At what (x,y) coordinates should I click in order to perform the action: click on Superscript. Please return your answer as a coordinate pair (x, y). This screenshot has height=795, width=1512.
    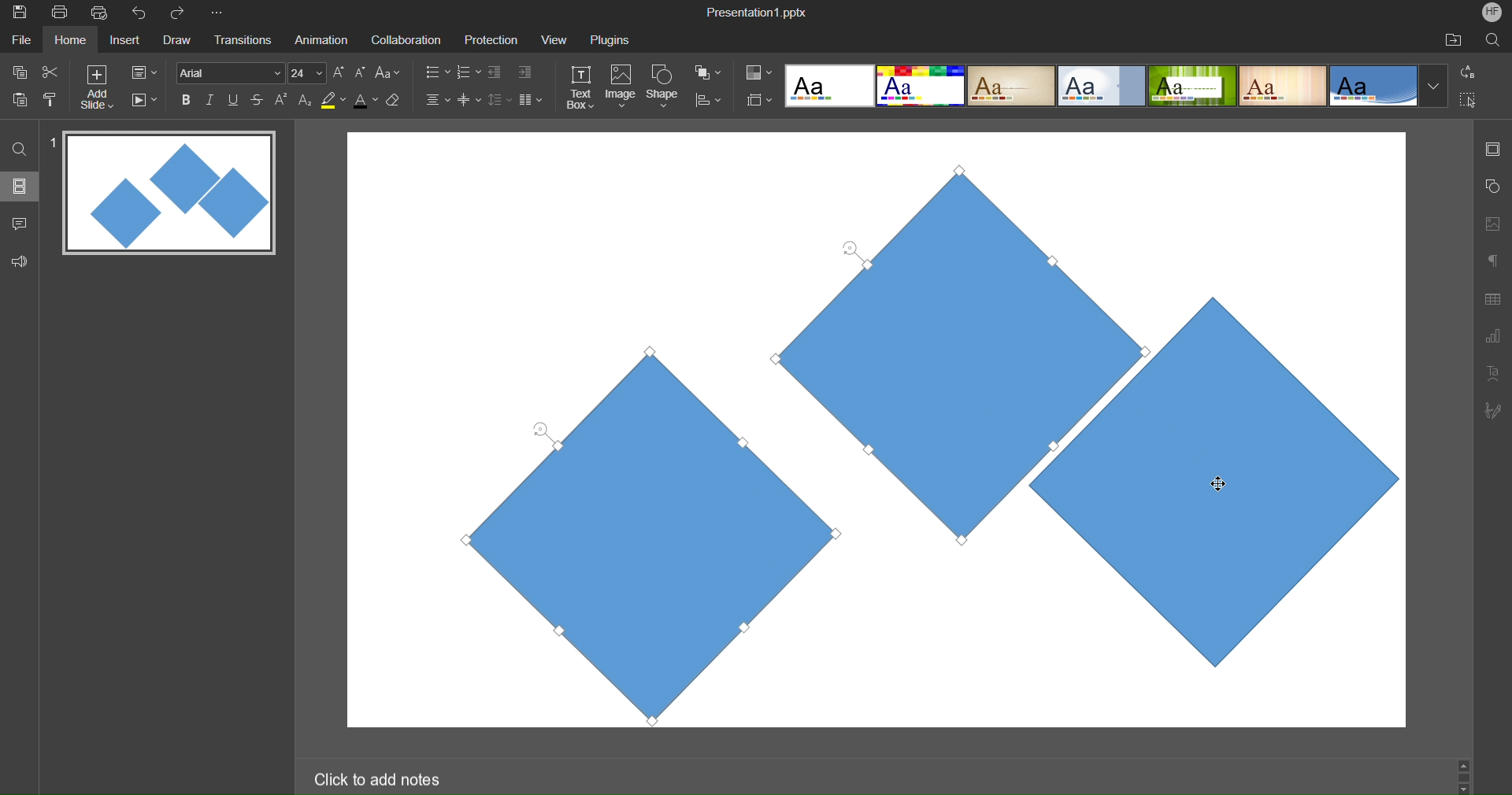
    Looking at the image, I should click on (283, 99).